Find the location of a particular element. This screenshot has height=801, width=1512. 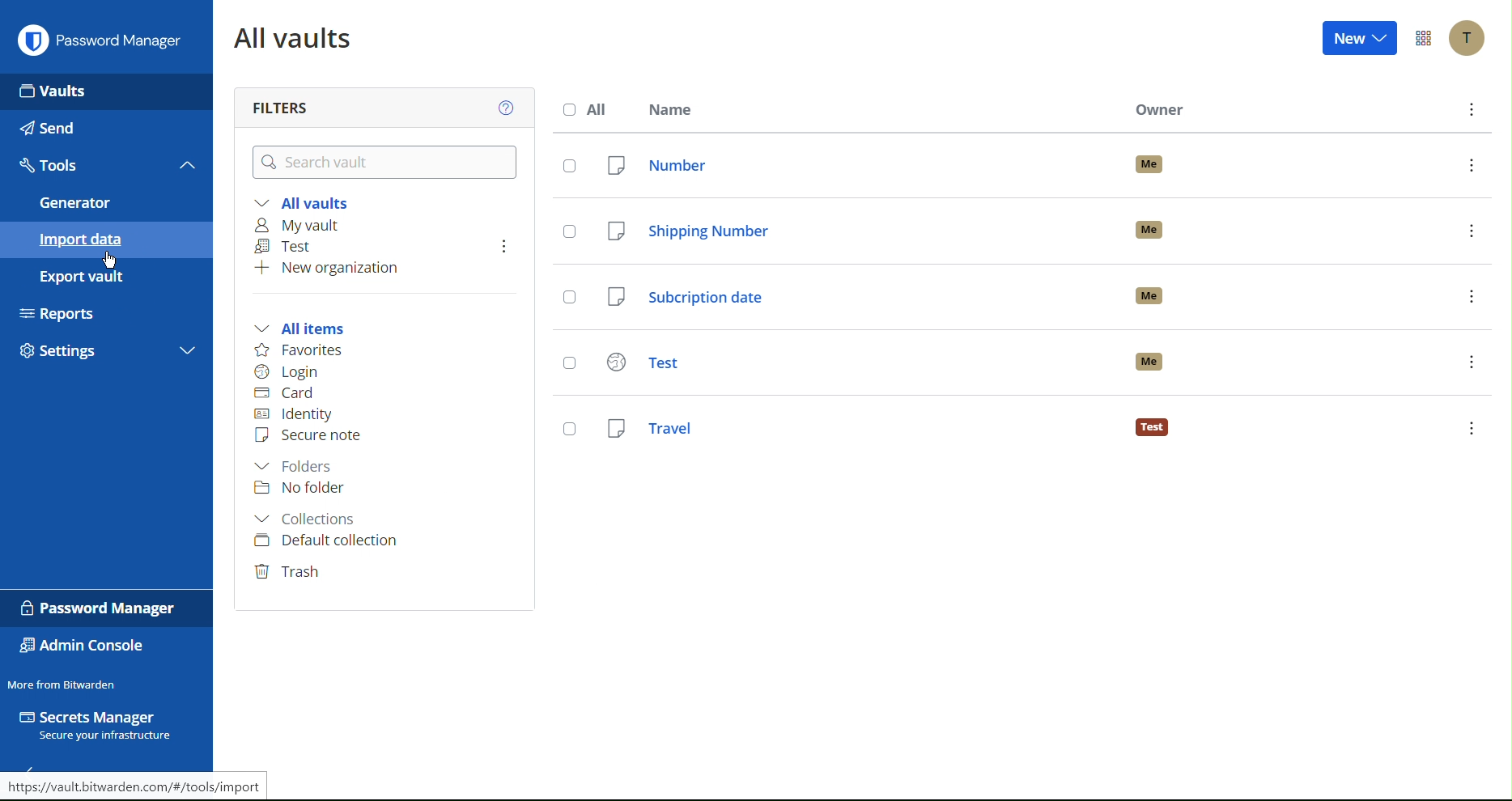

options is located at coordinates (1471, 296).